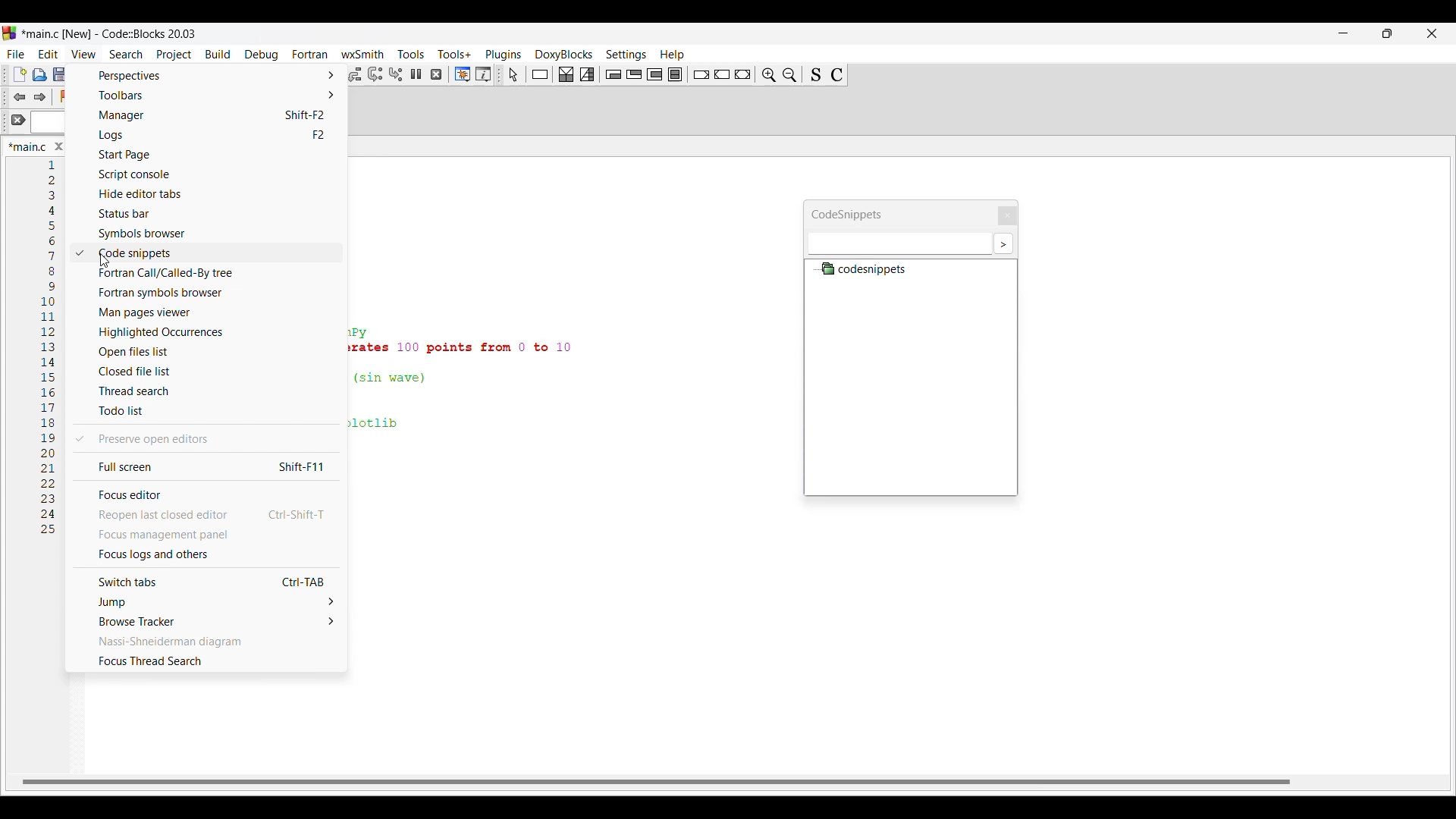 The width and height of the screenshot is (1456, 819). Describe the element at coordinates (1344, 33) in the screenshot. I see `Minimize` at that location.